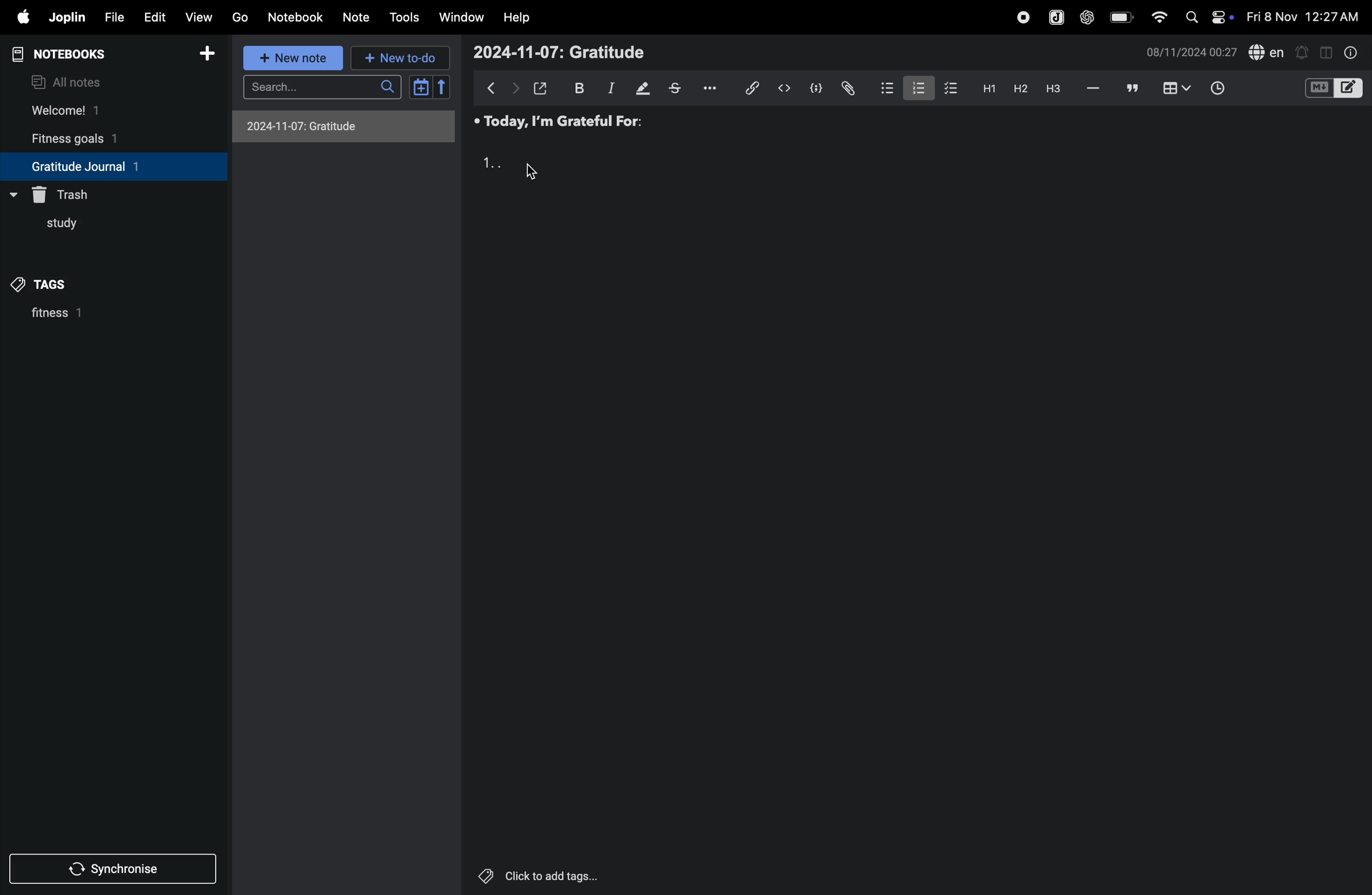 The height and width of the screenshot is (895, 1372). What do you see at coordinates (533, 873) in the screenshot?
I see `click to add tags` at bounding box center [533, 873].